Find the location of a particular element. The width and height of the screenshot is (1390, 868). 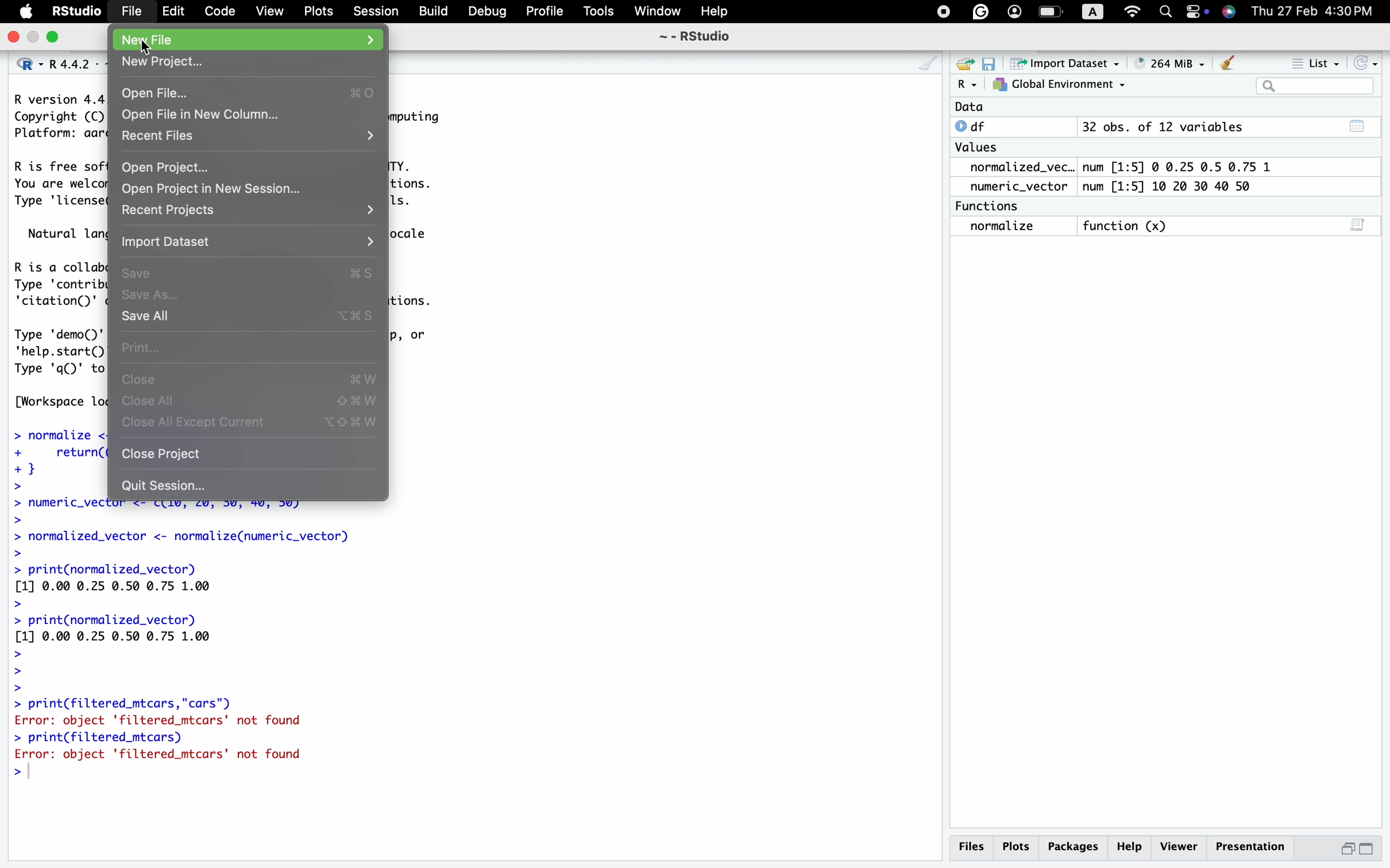

new project is located at coordinates (249, 62).